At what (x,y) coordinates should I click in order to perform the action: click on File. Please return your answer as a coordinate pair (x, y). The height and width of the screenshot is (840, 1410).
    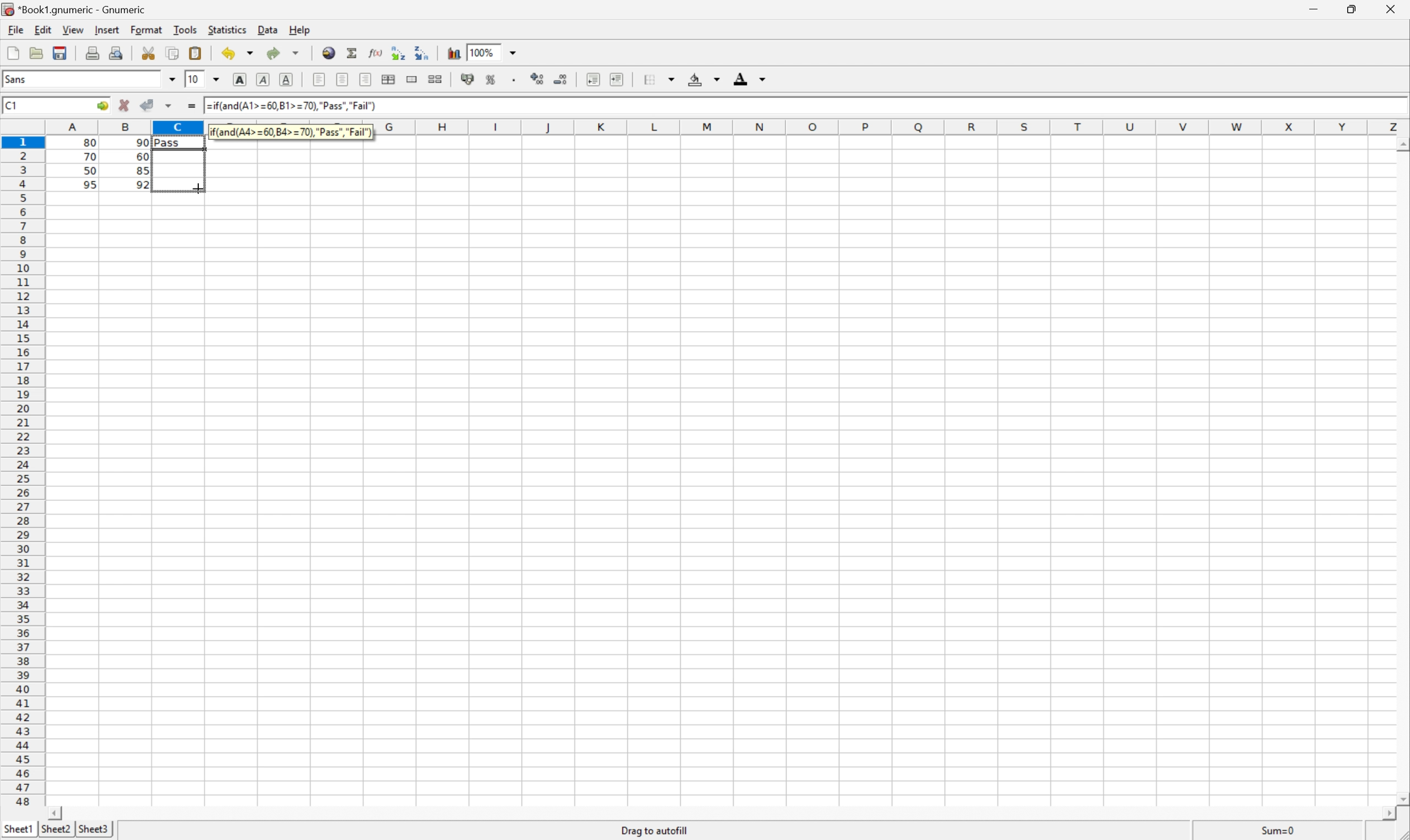
    Looking at the image, I should click on (17, 30).